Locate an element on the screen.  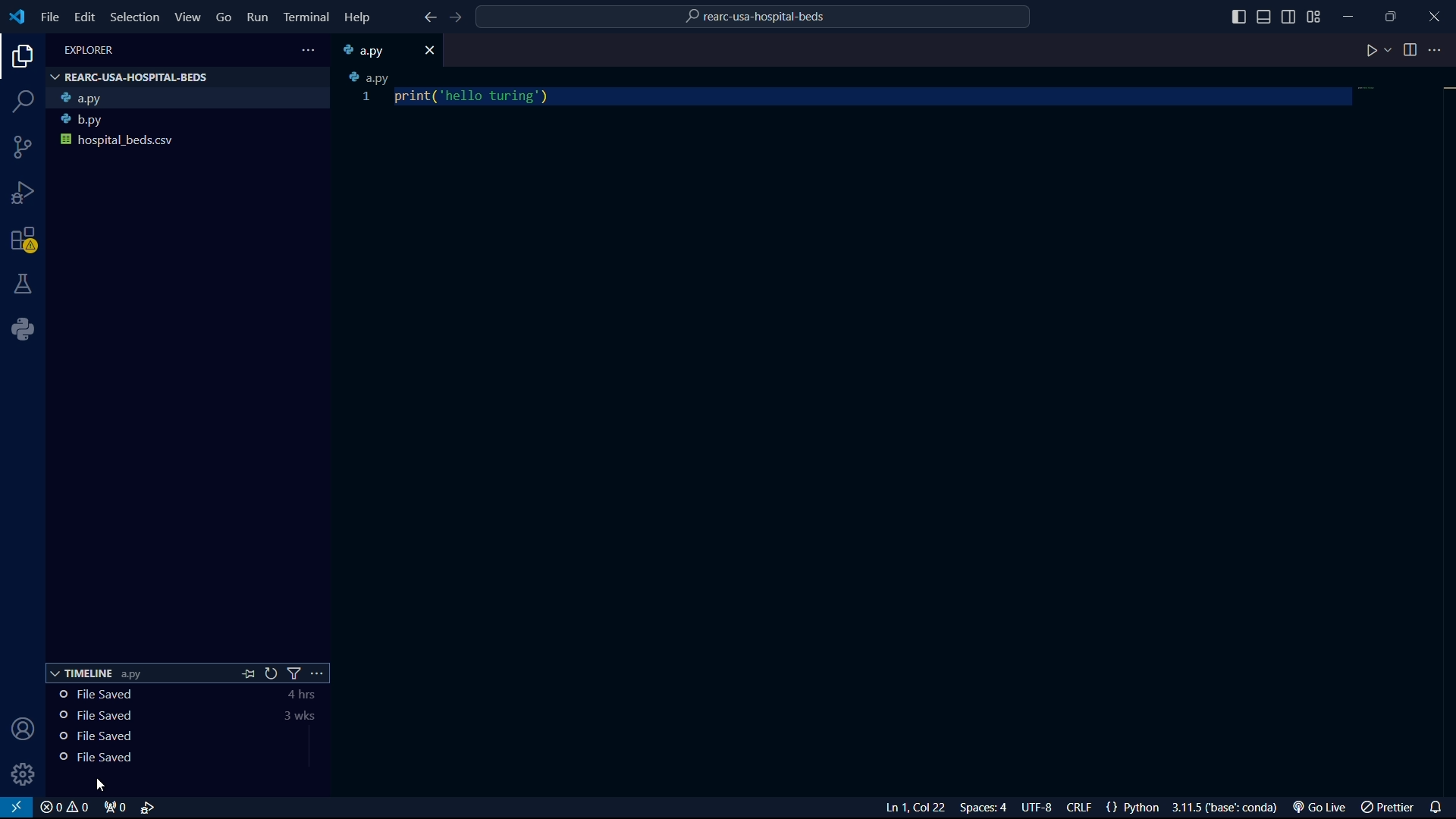
select encoding is located at coordinates (1035, 808).